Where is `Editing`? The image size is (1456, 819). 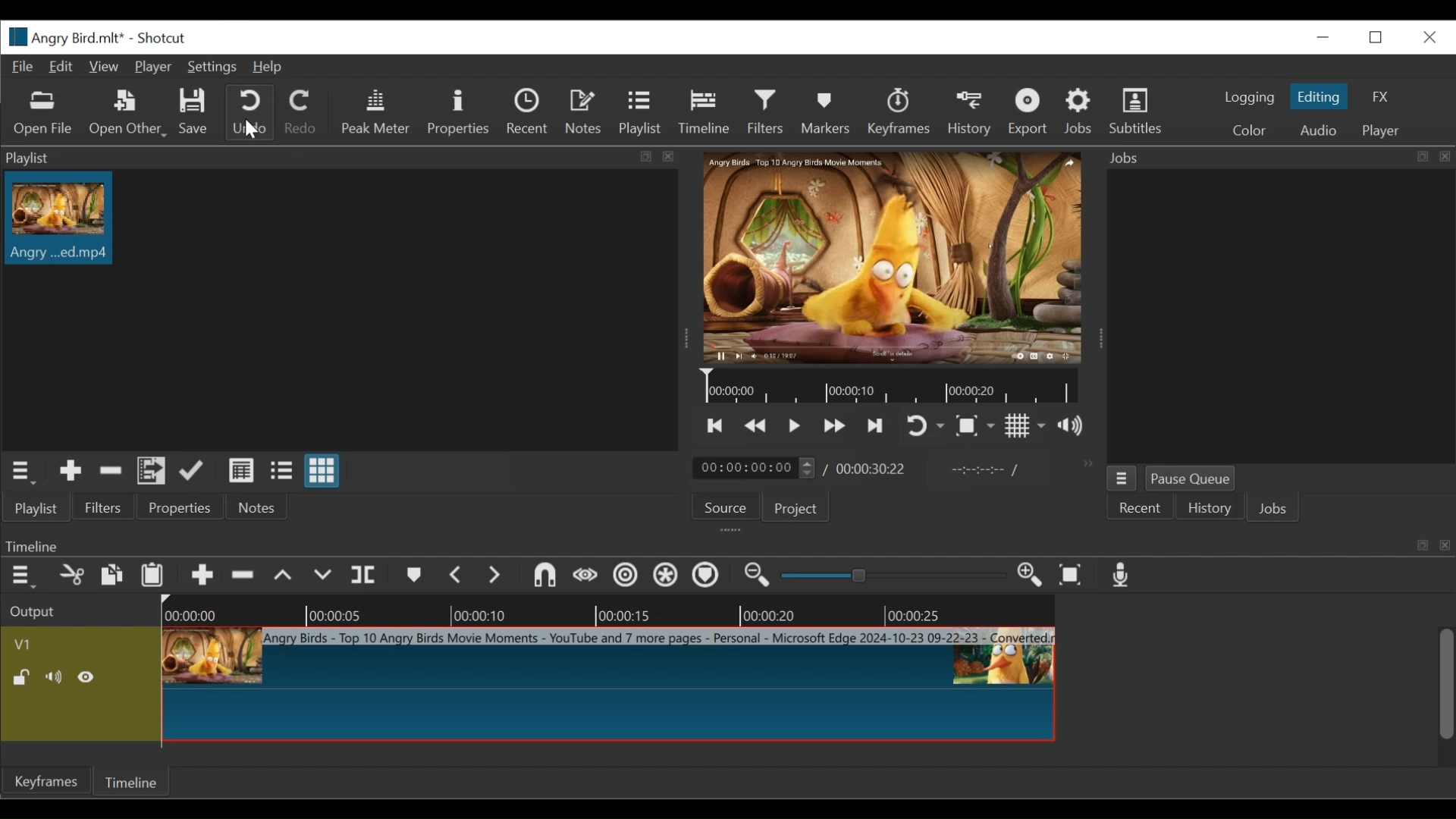
Editing is located at coordinates (1318, 96).